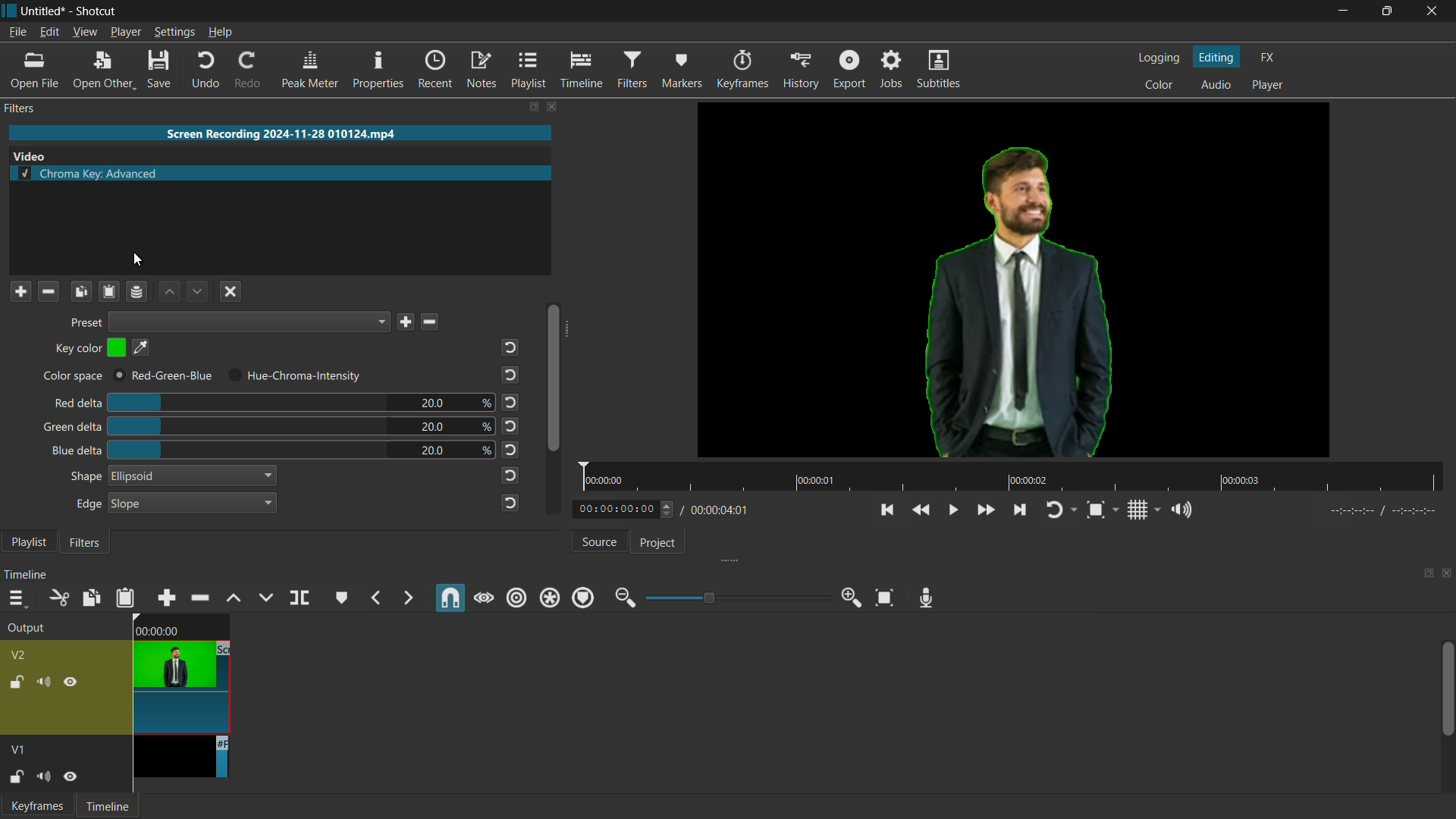 The image size is (1456, 819). What do you see at coordinates (84, 33) in the screenshot?
I see `view menu` at bounding box center [84, 33].